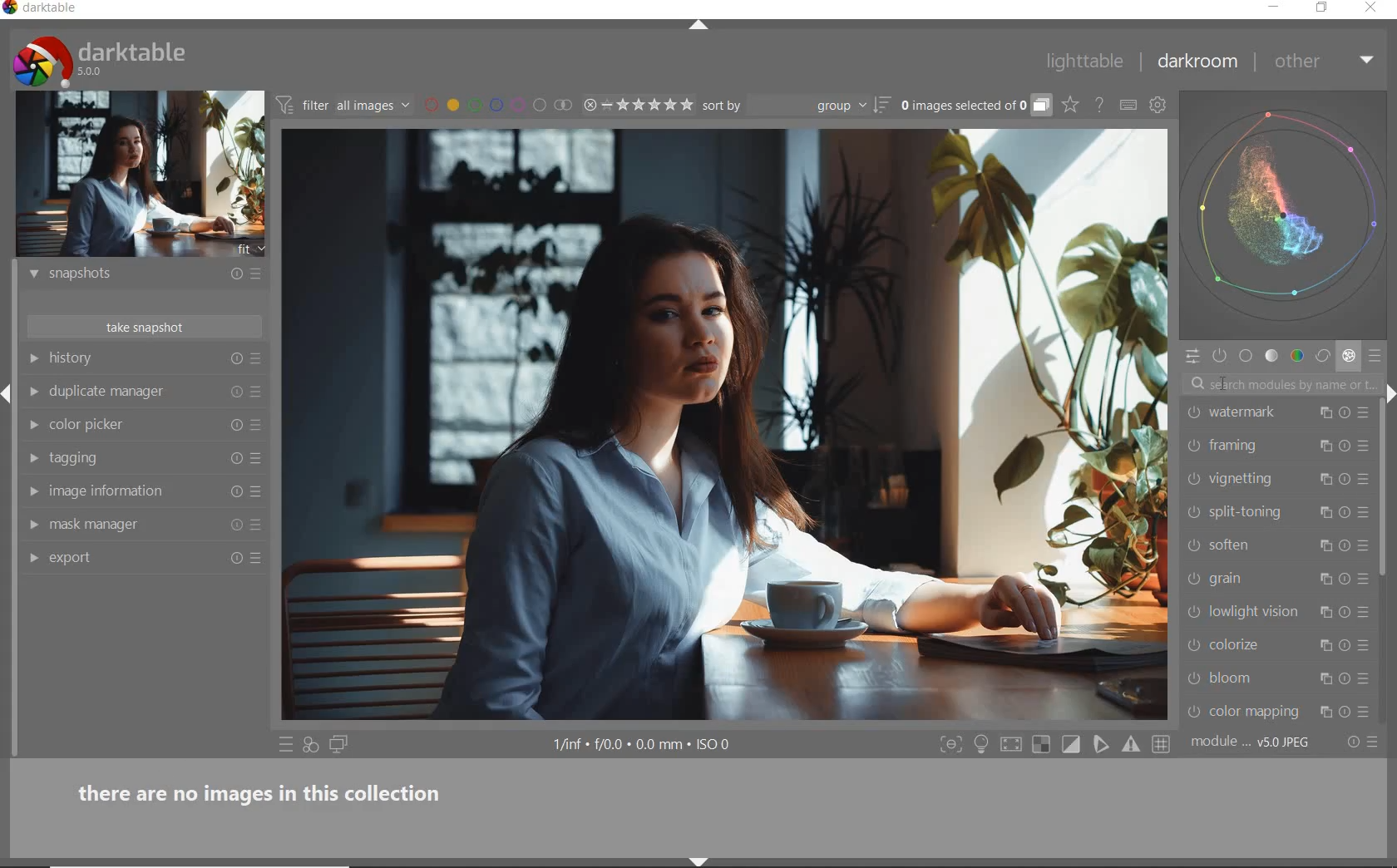 This screenshot has width=1397, height=868. I want to click on presets, so click(1377, 357).